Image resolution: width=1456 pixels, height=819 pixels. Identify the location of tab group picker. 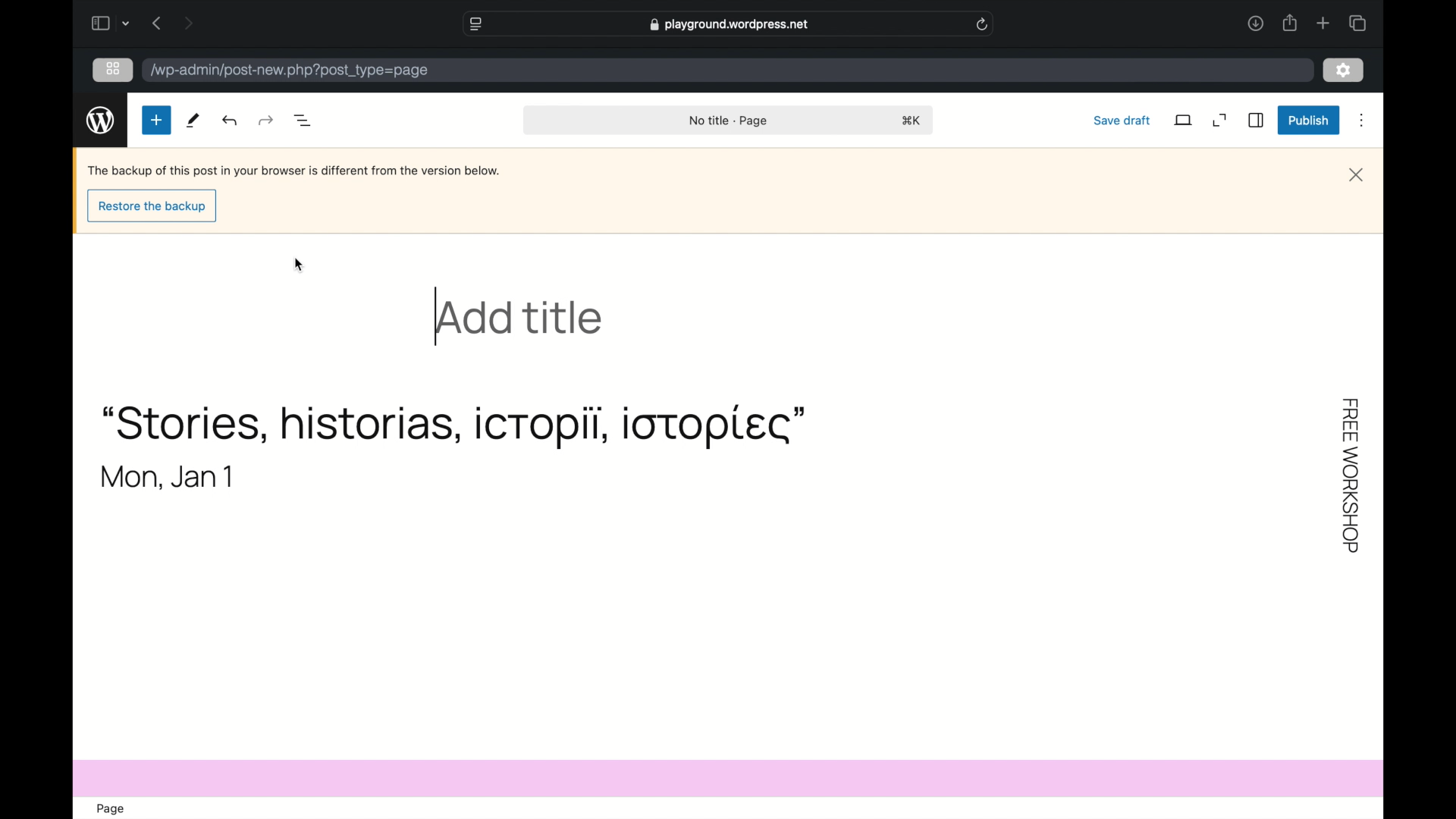
(127, 24).